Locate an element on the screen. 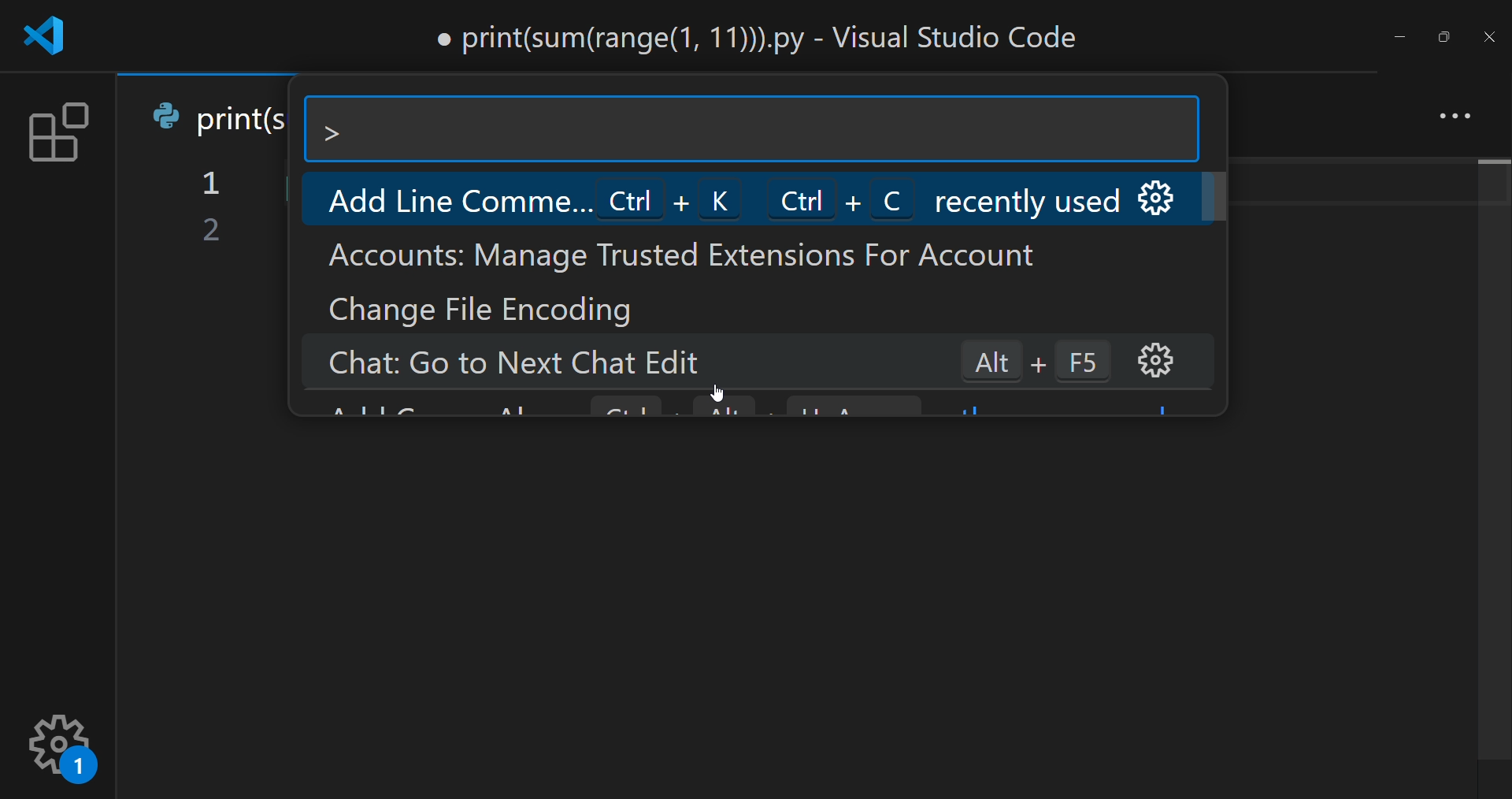 The image size is (1512, 799). logo is located at coordinates (51, 36).